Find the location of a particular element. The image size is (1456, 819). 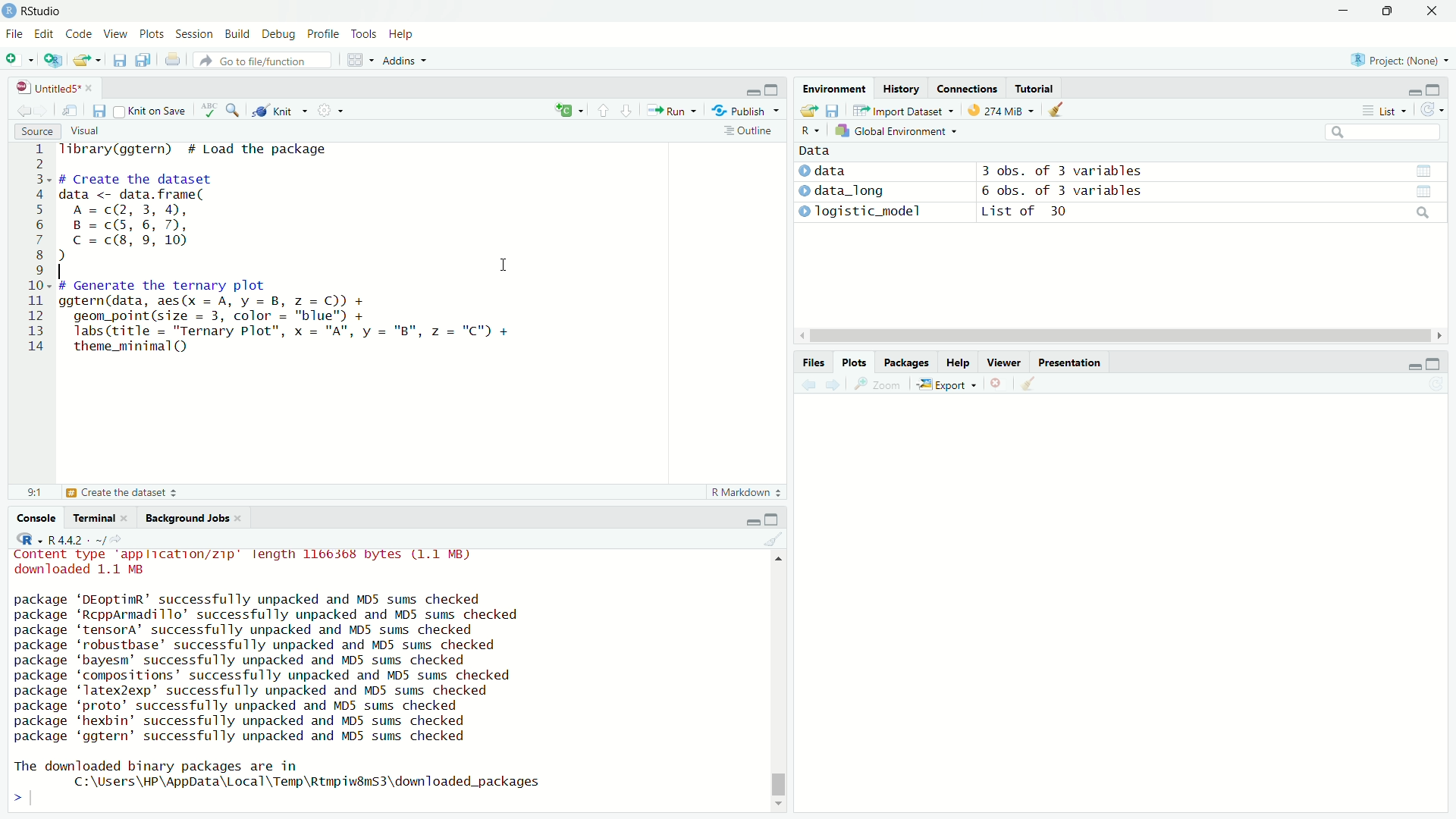

View is located at coordinates (111, 35).